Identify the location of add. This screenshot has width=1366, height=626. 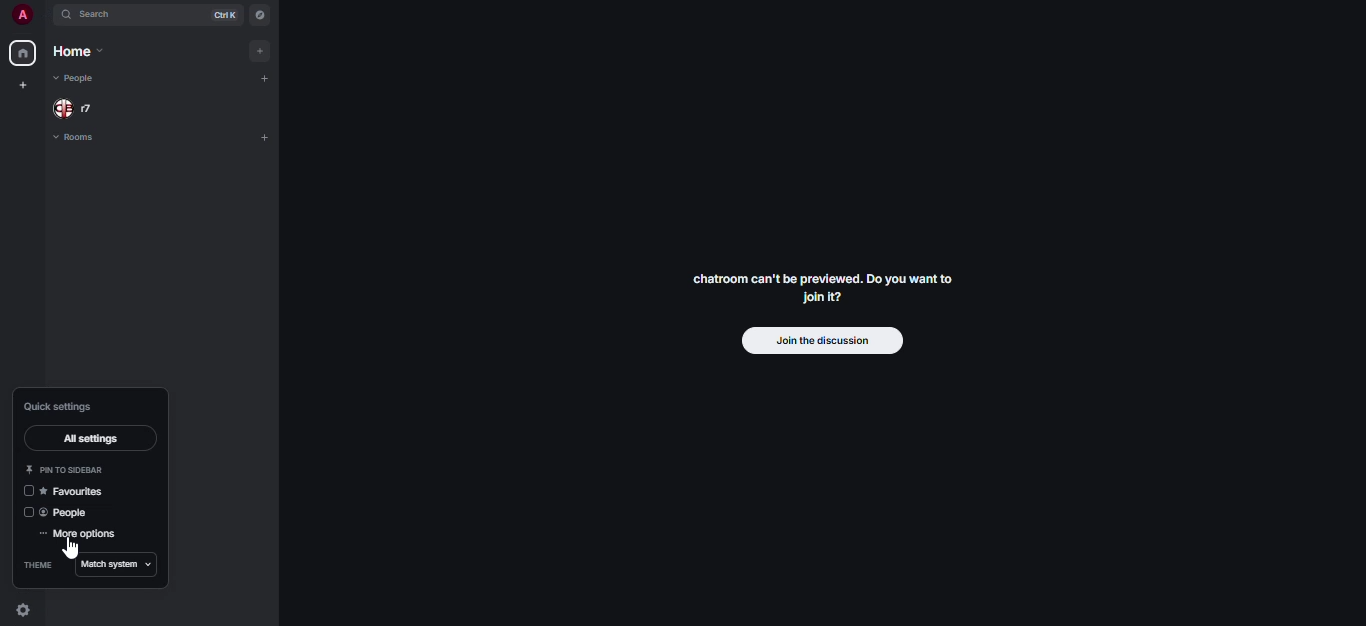
(265, 78).